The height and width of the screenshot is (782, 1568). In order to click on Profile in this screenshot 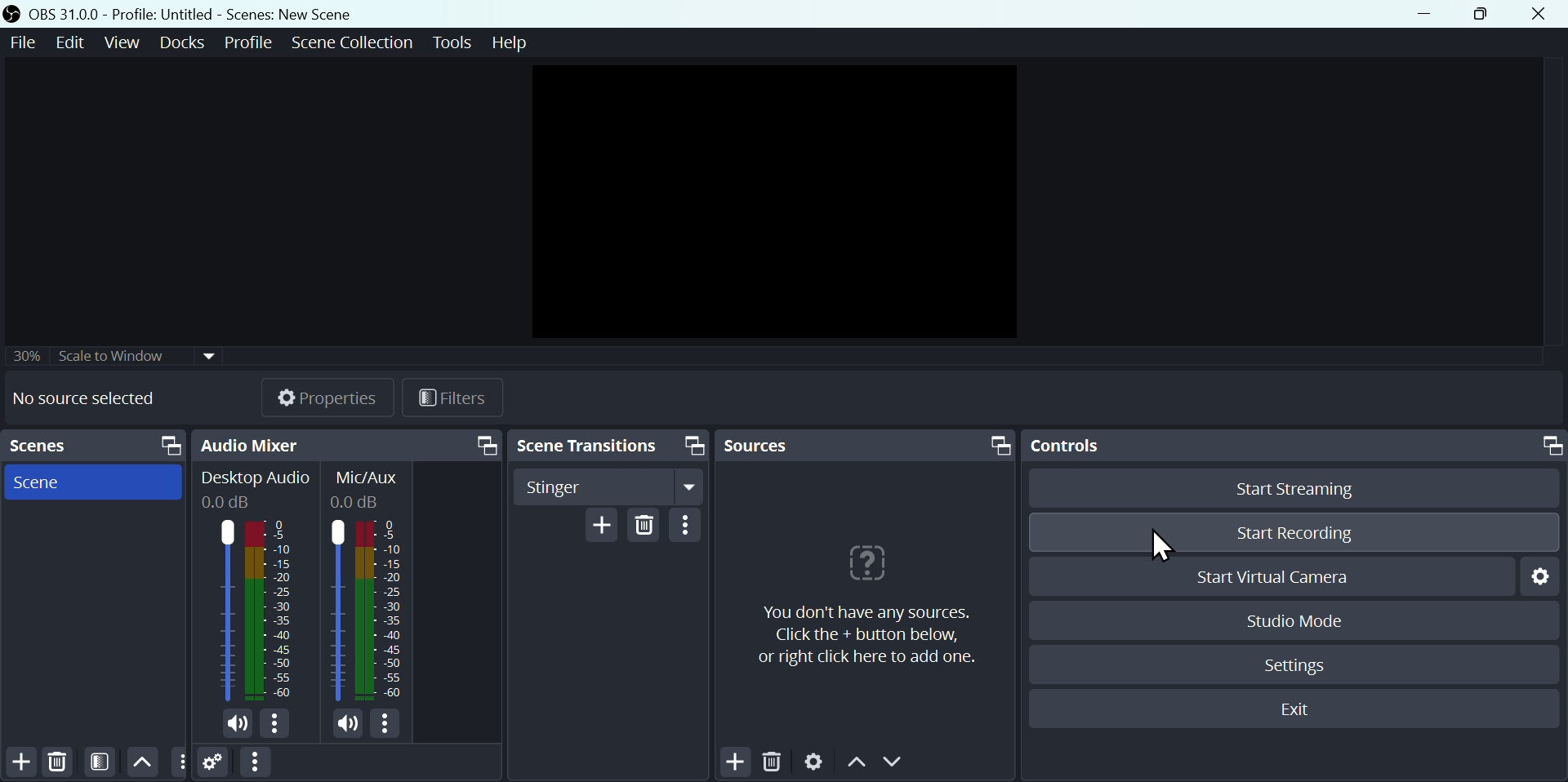, I will do `click(248, 42)`.